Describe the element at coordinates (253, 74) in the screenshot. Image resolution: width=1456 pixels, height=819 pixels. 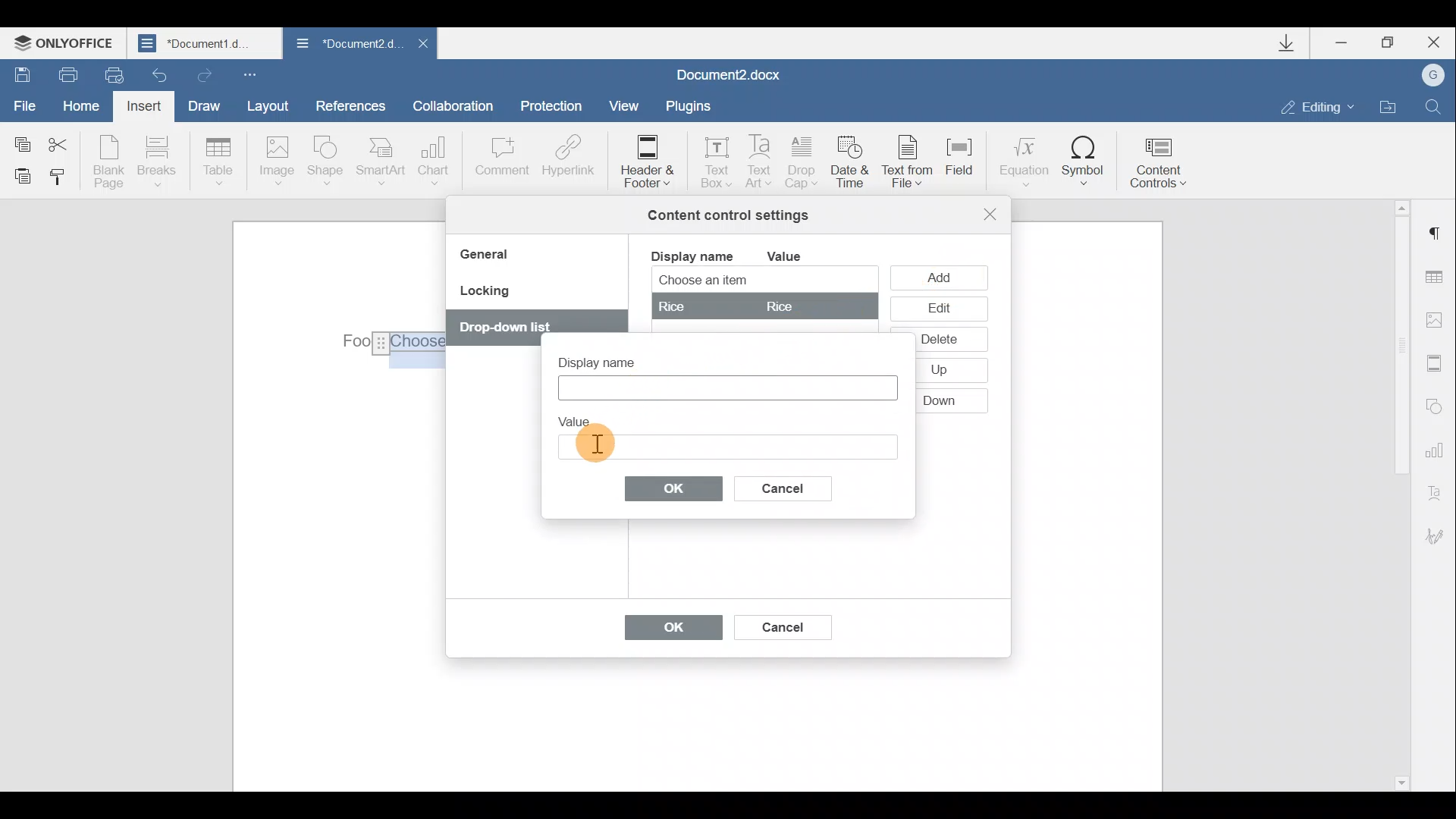
I see `Customize quick access toolbar` at that location.